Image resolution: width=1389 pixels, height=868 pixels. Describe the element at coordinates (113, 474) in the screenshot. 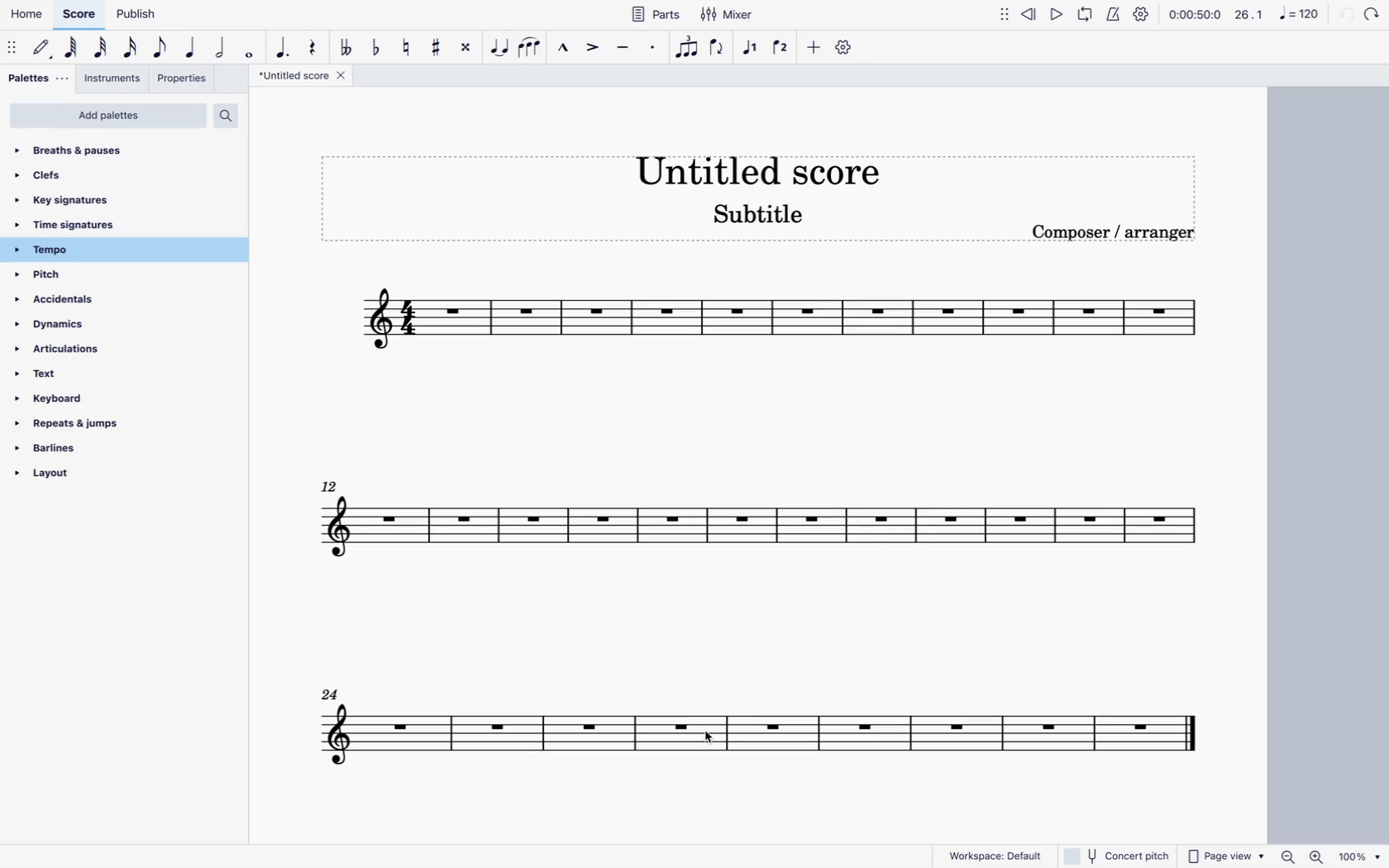

I see `layout` at that location.